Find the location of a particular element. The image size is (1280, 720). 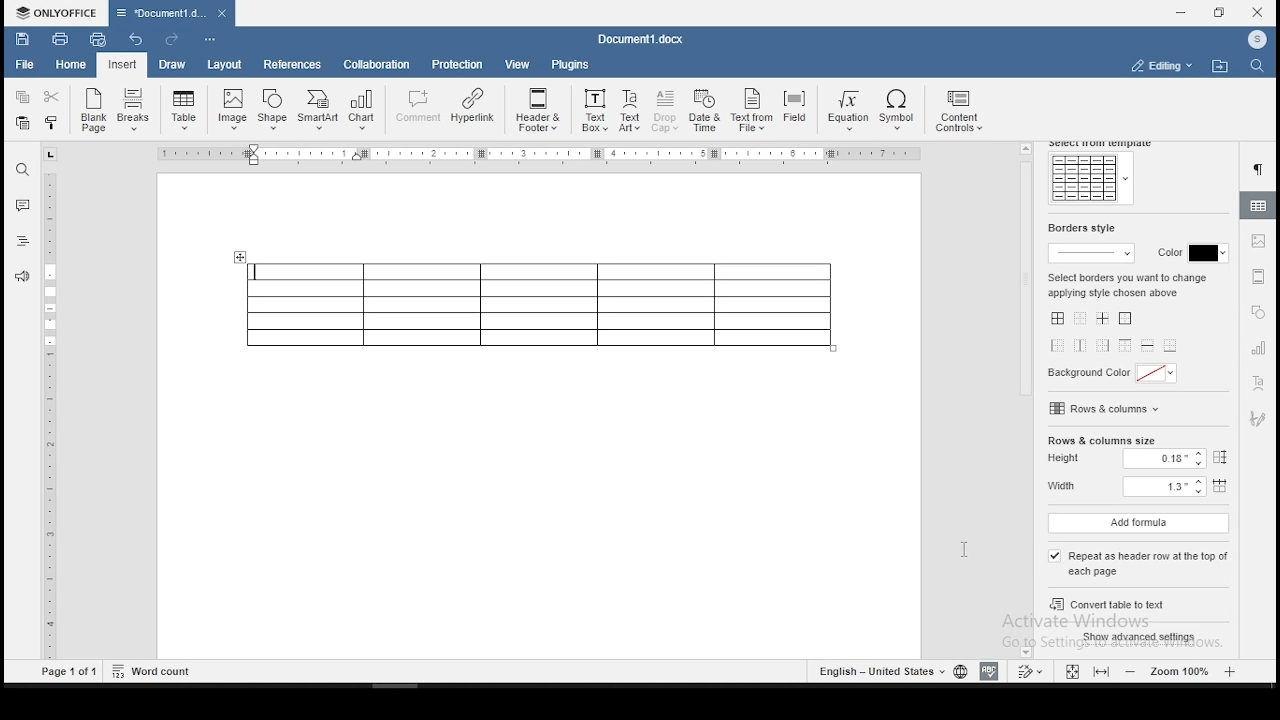

file is located at coordinates (27, 66).